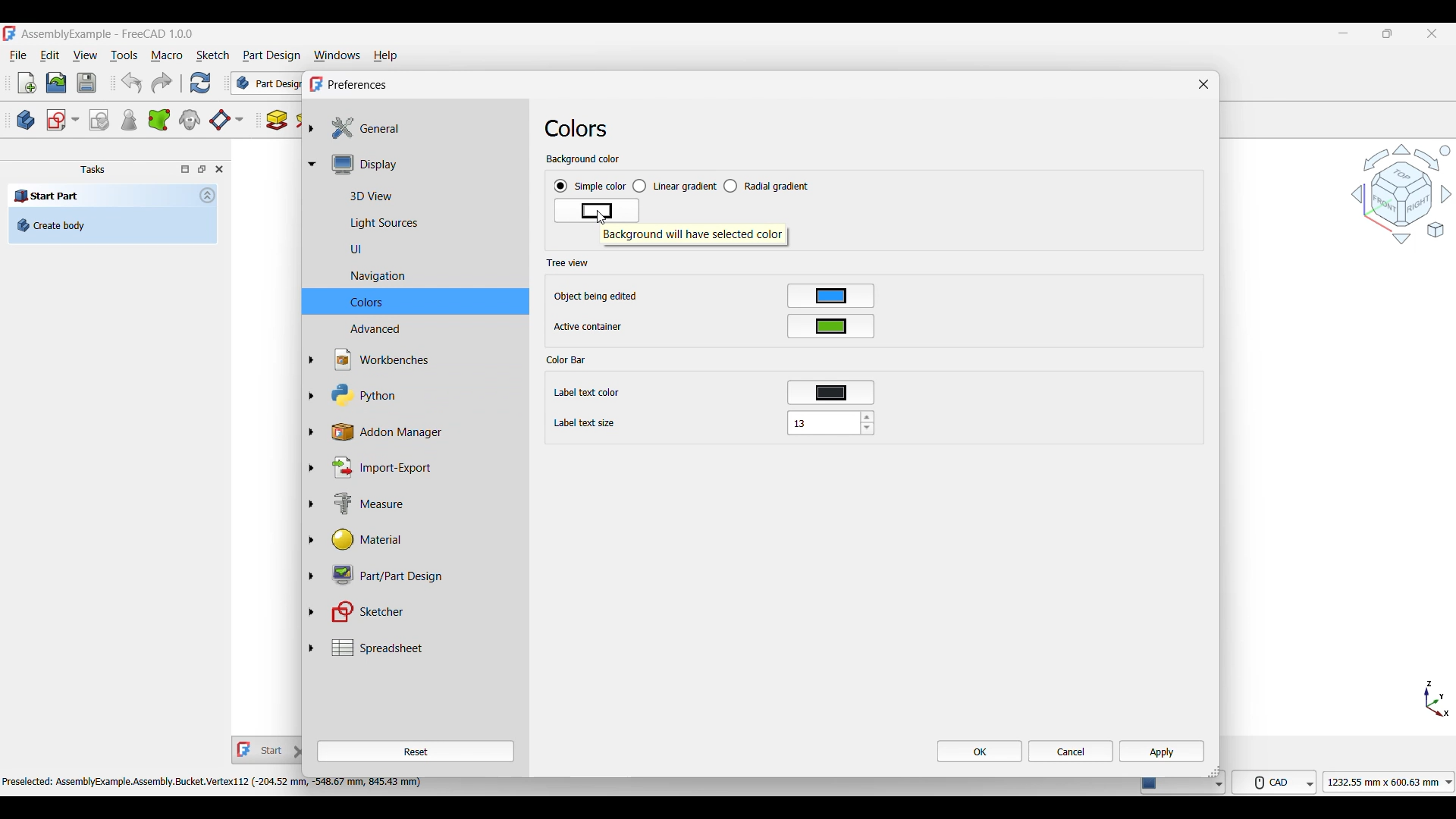  I want to click on Simple color gradient, so click(590, 187).